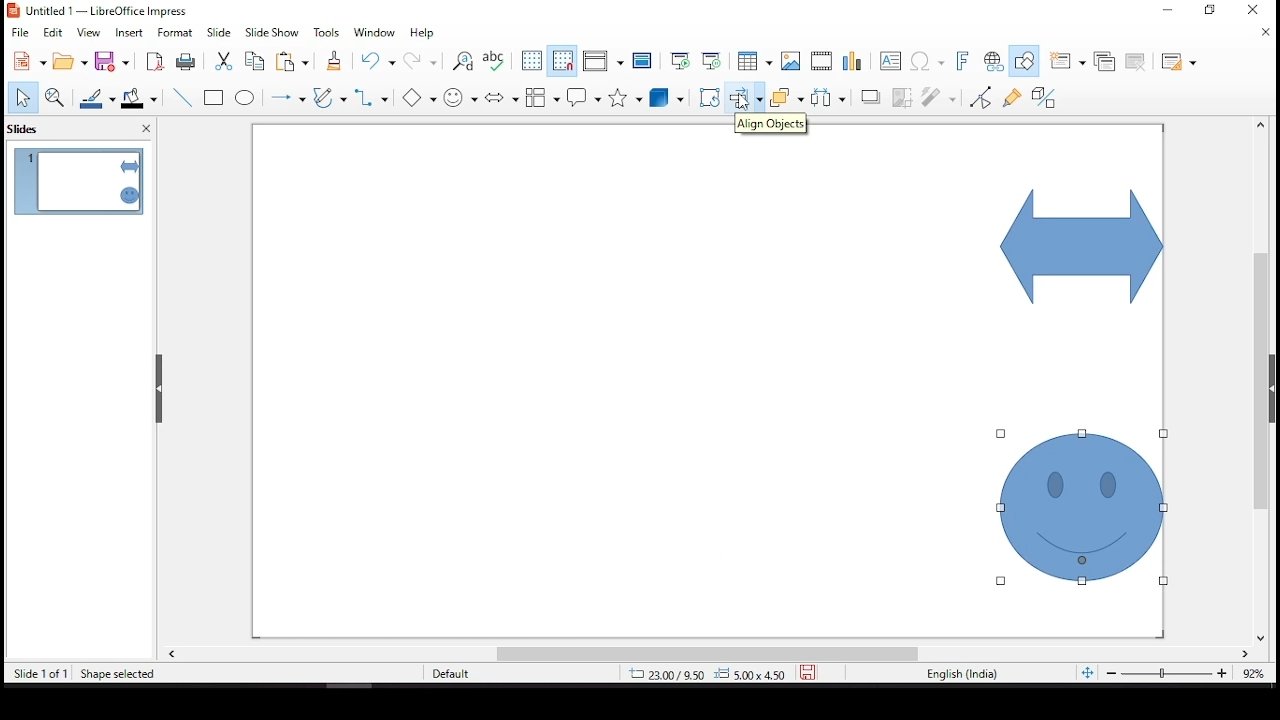 The image size is (1280, 720). Describe the element at coordinates (891, 62) in the screenshot. I see `text box` at that location.